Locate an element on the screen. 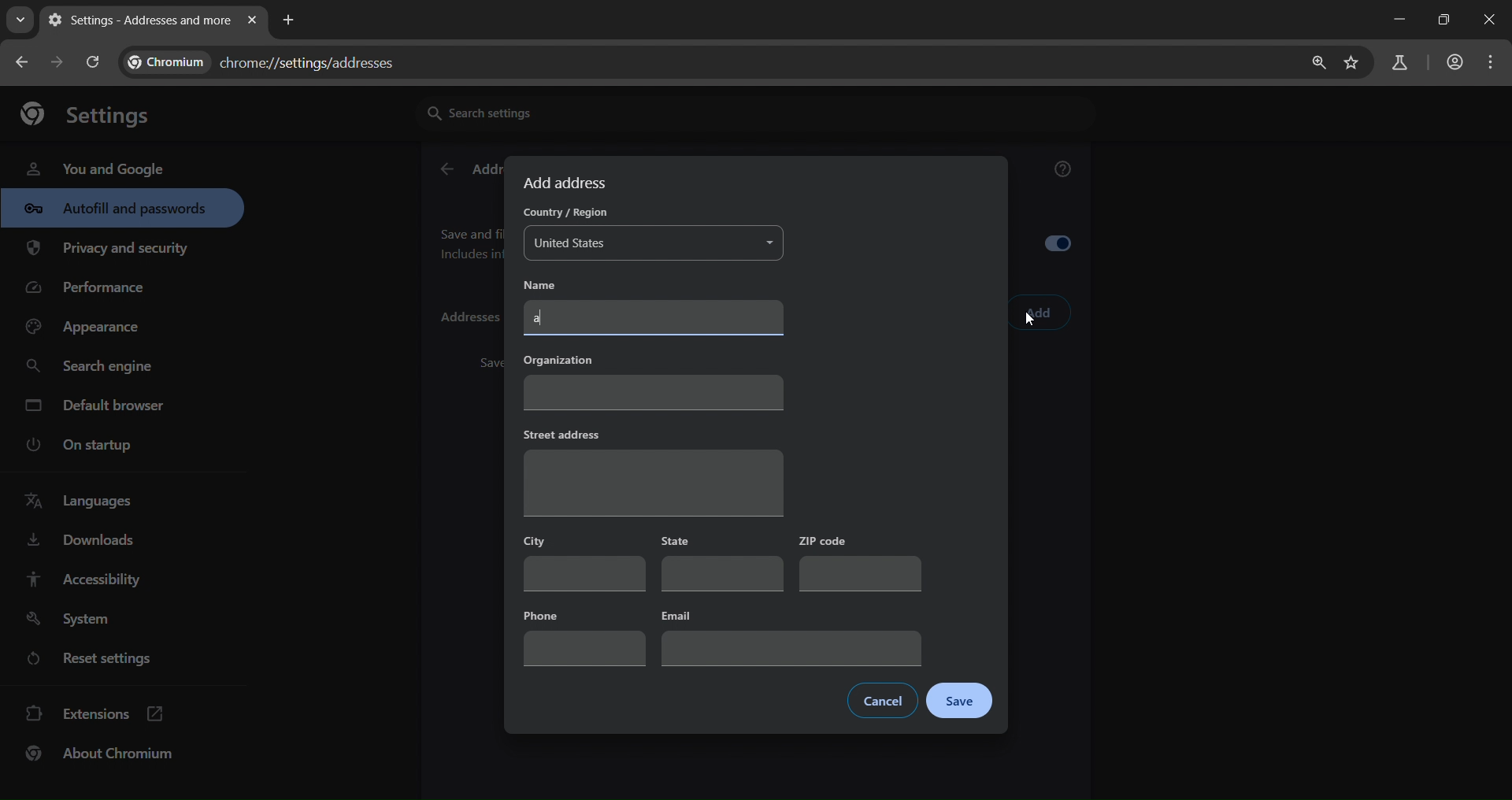 The height and width of the screenshot is (800, 1512). add is located at coordinates (1039, 313).